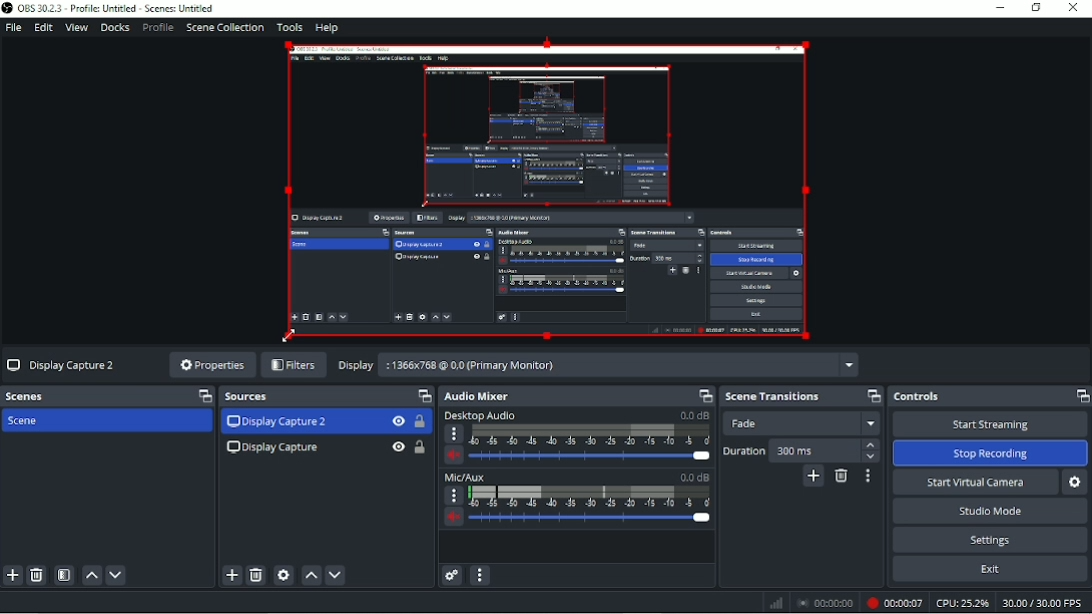 The image size is (1092, 614). I want to click on Lock, so click(419, 447).